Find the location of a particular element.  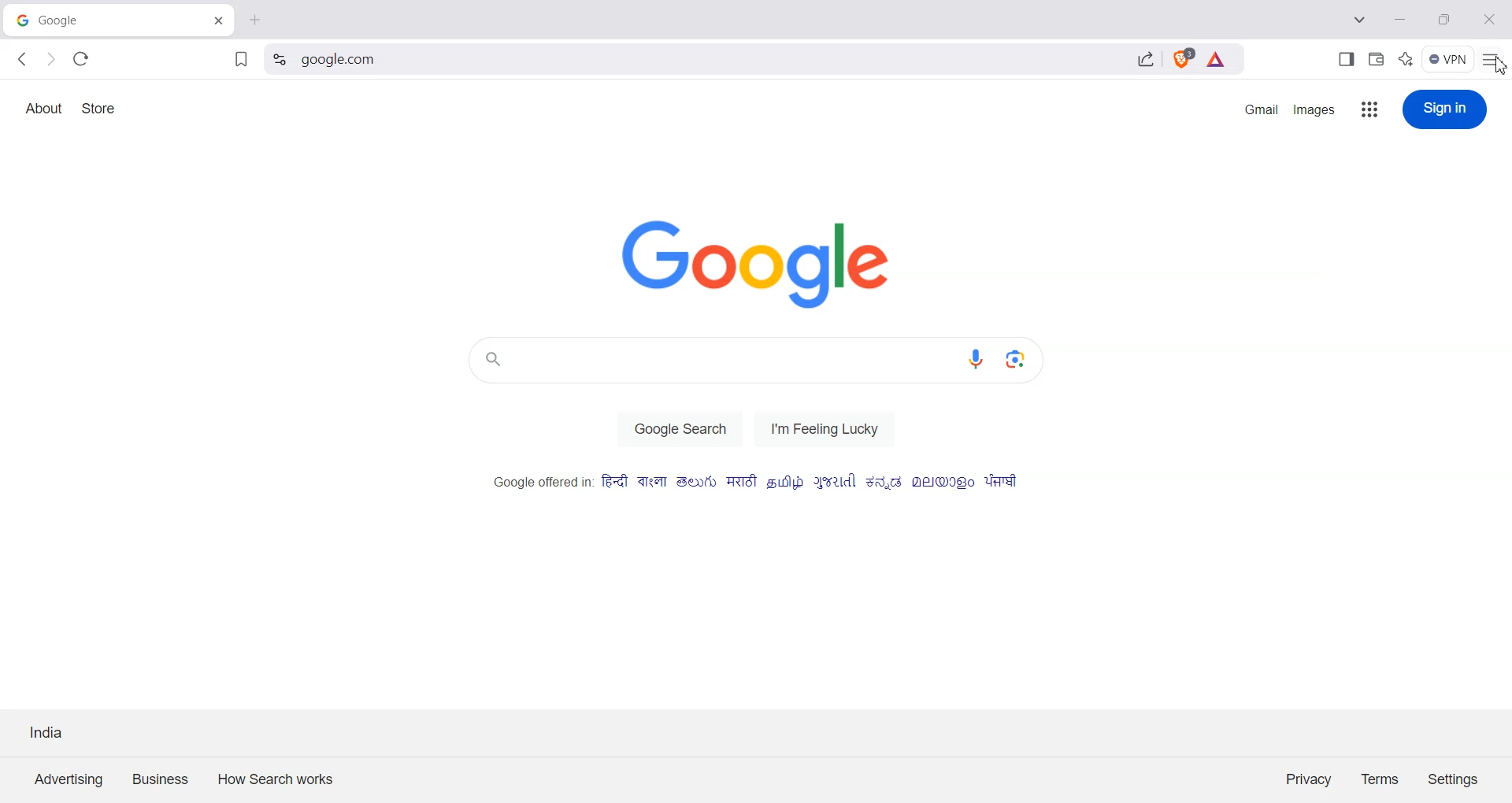

Setting is located at coordinates (280, 60).